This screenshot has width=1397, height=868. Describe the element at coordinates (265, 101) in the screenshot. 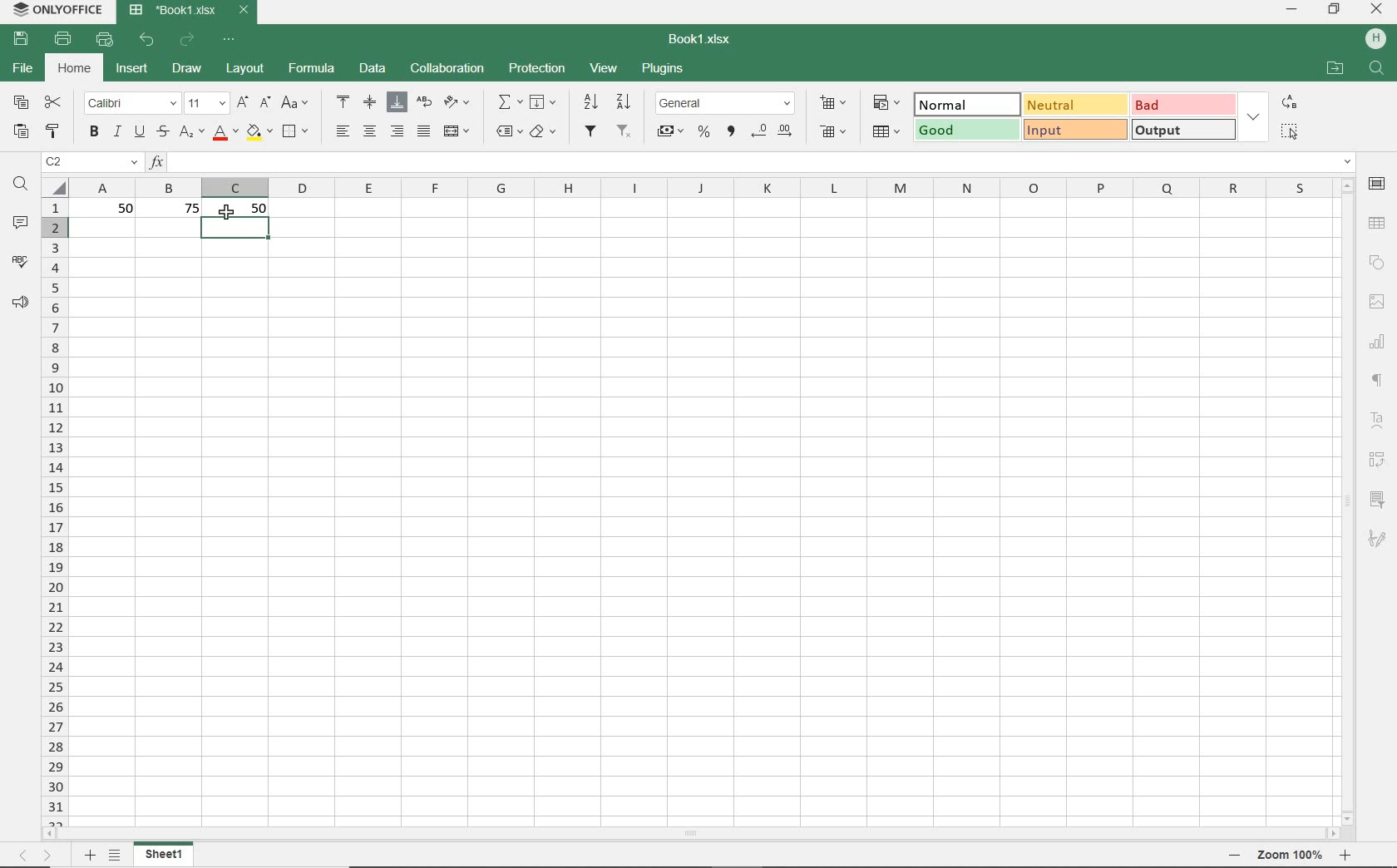

I see `decrement font size` at that location.